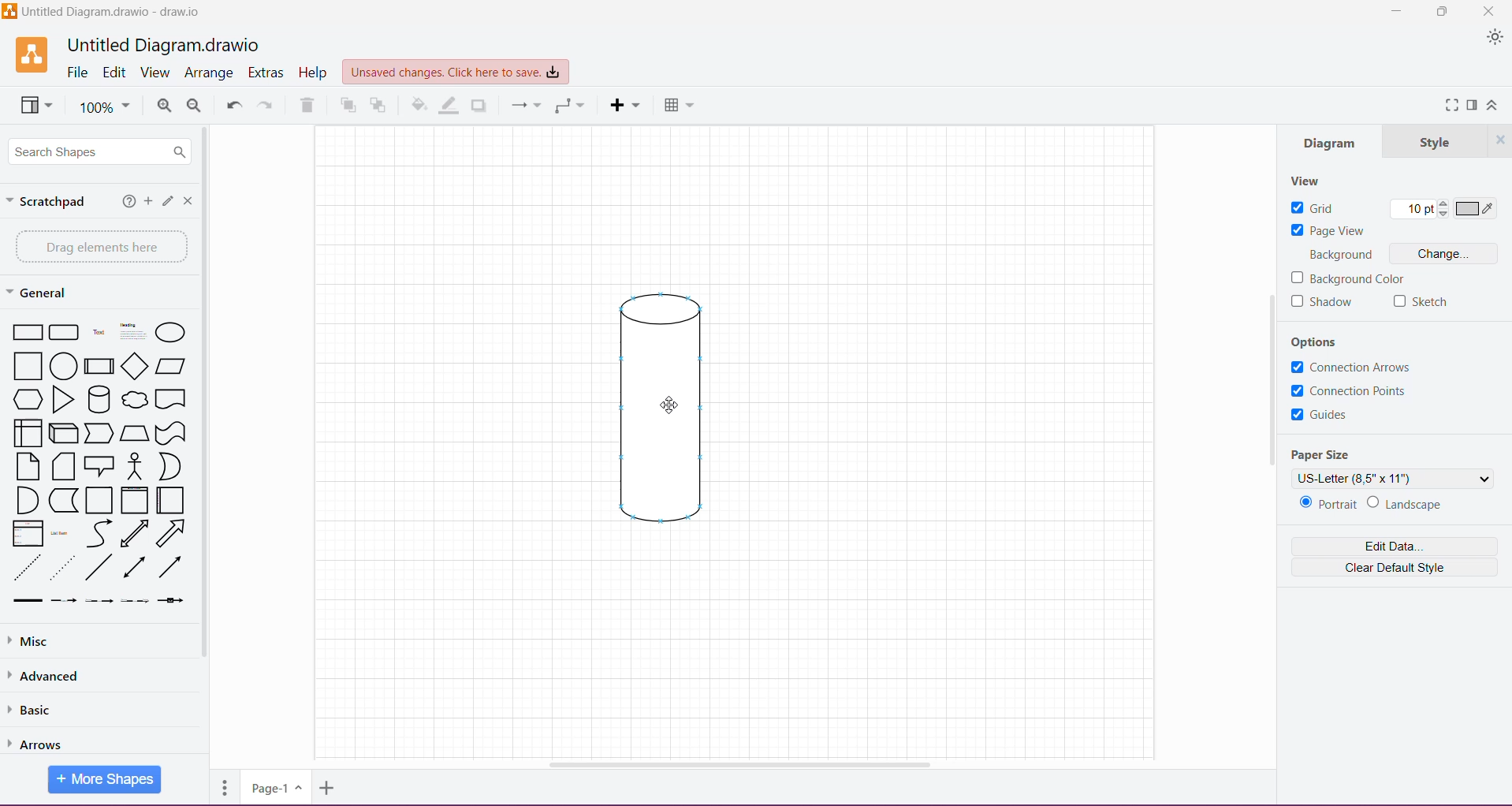 The width and height of the screenshot is (1512, 806). What do you see at coordinates (524, 106) in the screenshot?
I see `Connection` at bounding box center [524, 106].